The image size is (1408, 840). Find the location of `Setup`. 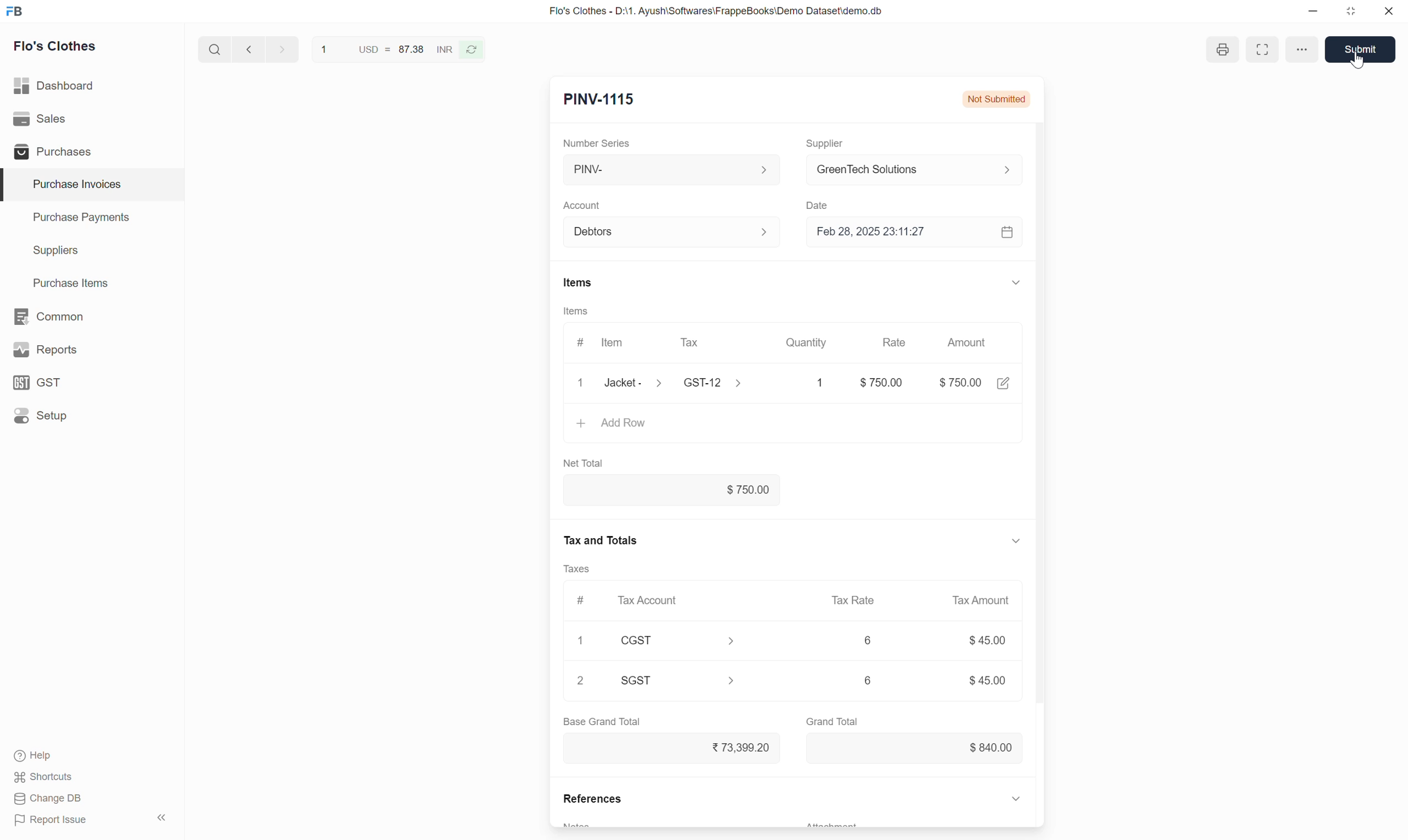

Setup is located at coordinates (91, 415).